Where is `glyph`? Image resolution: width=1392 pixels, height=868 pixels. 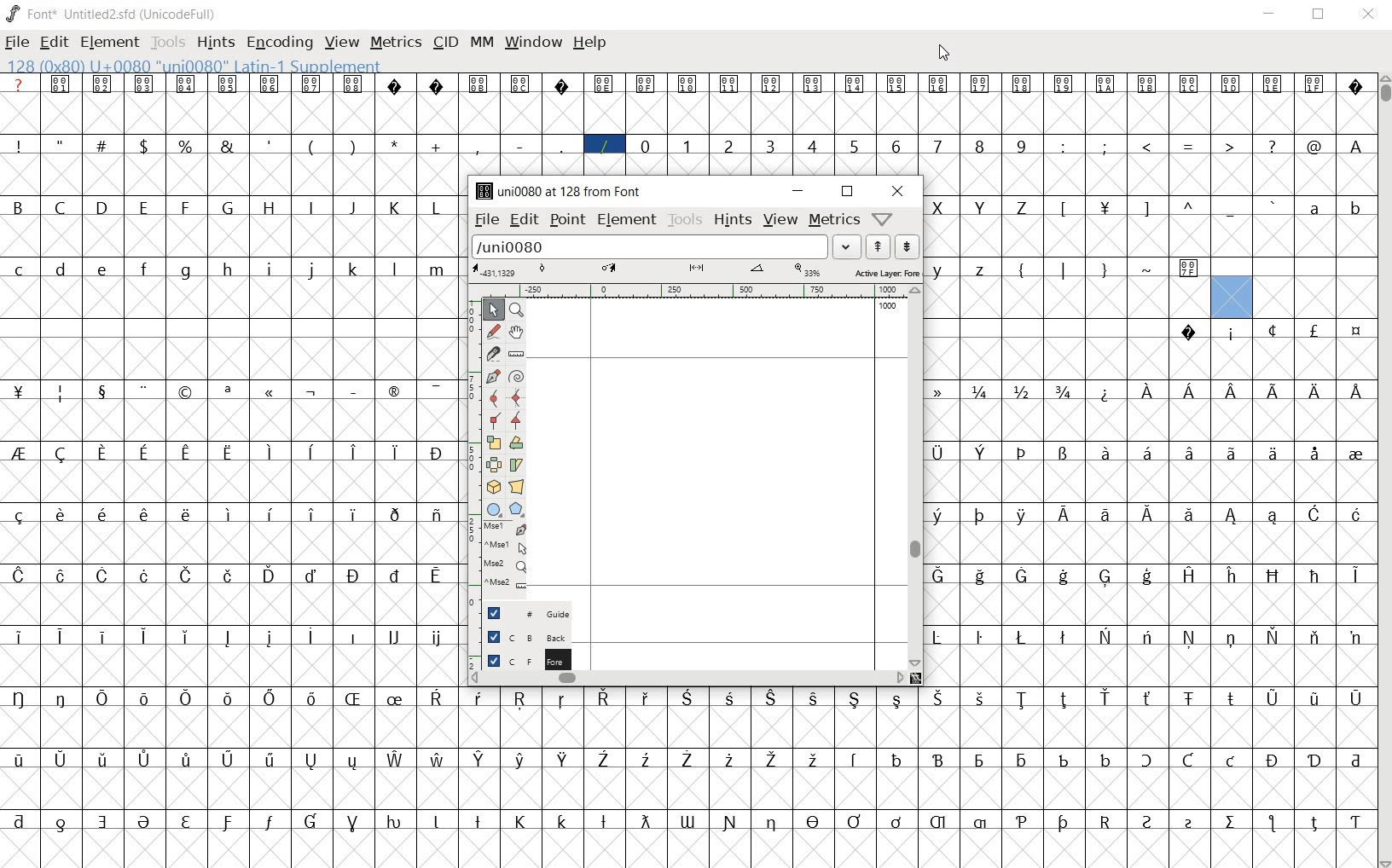 glyph is located at coordinates (396, 760).